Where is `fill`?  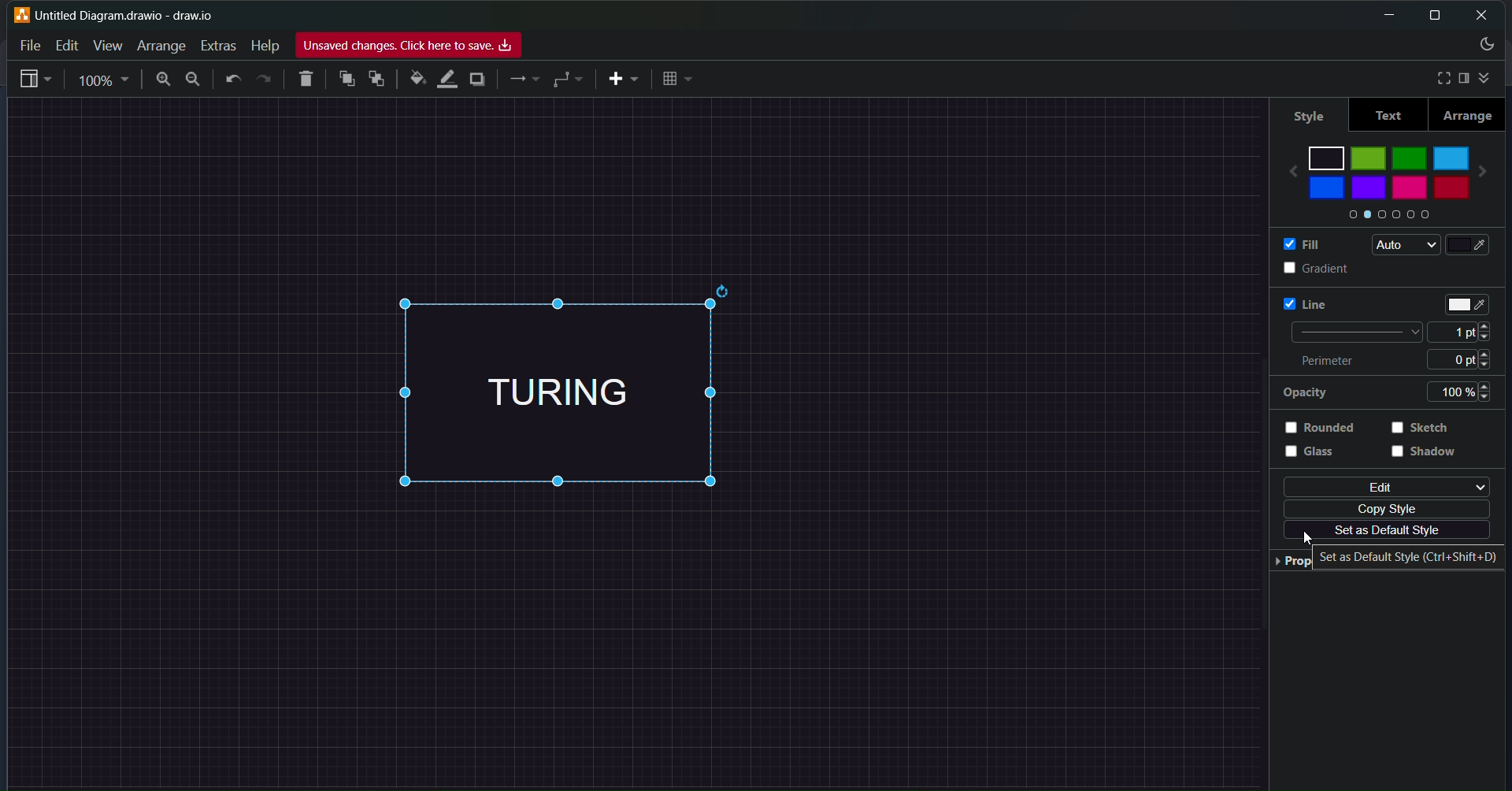 fill is located at coordinates (1296, 243).